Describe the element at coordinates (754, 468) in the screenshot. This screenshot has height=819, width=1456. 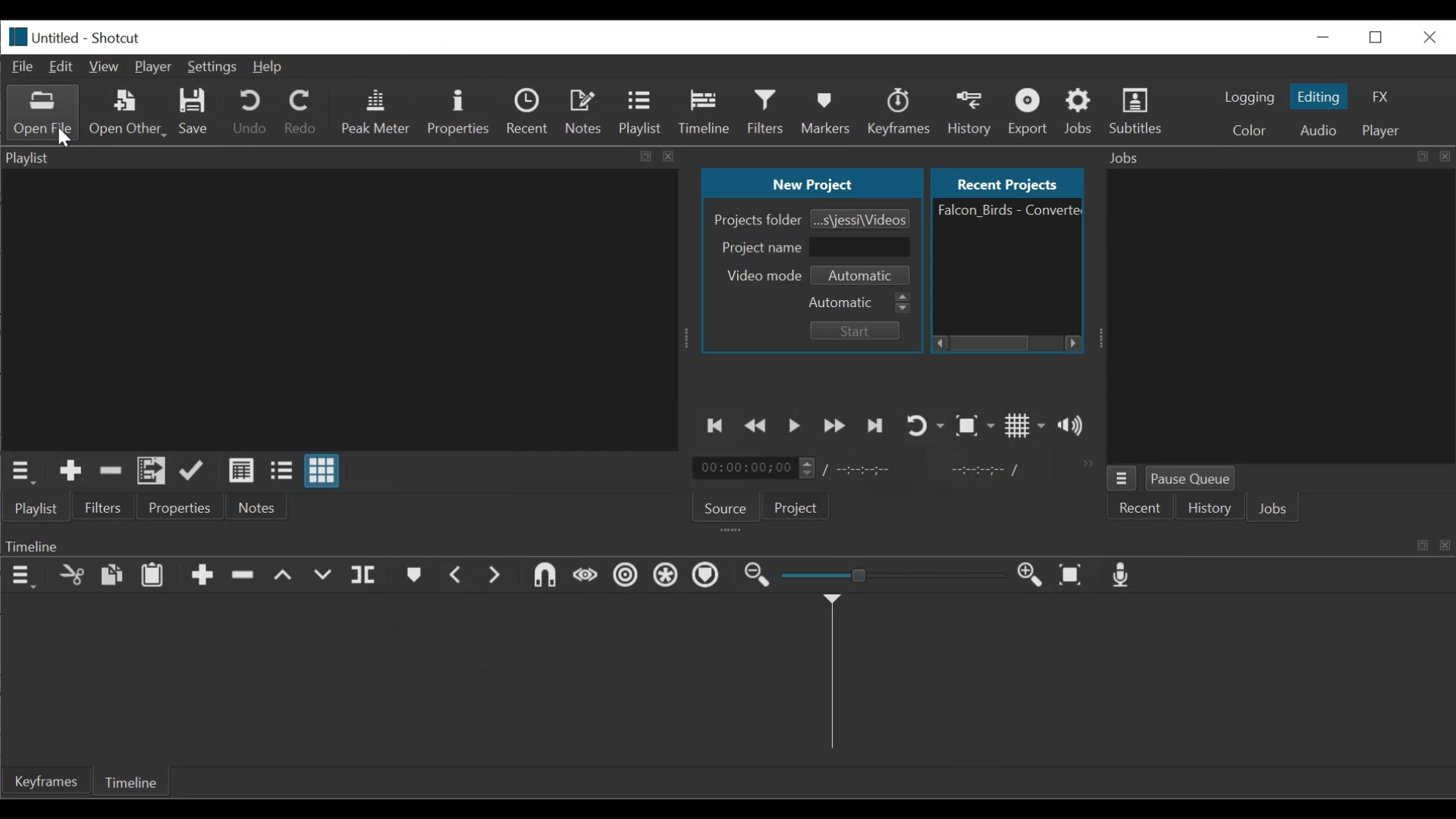
I see `Current Duration` at that location.